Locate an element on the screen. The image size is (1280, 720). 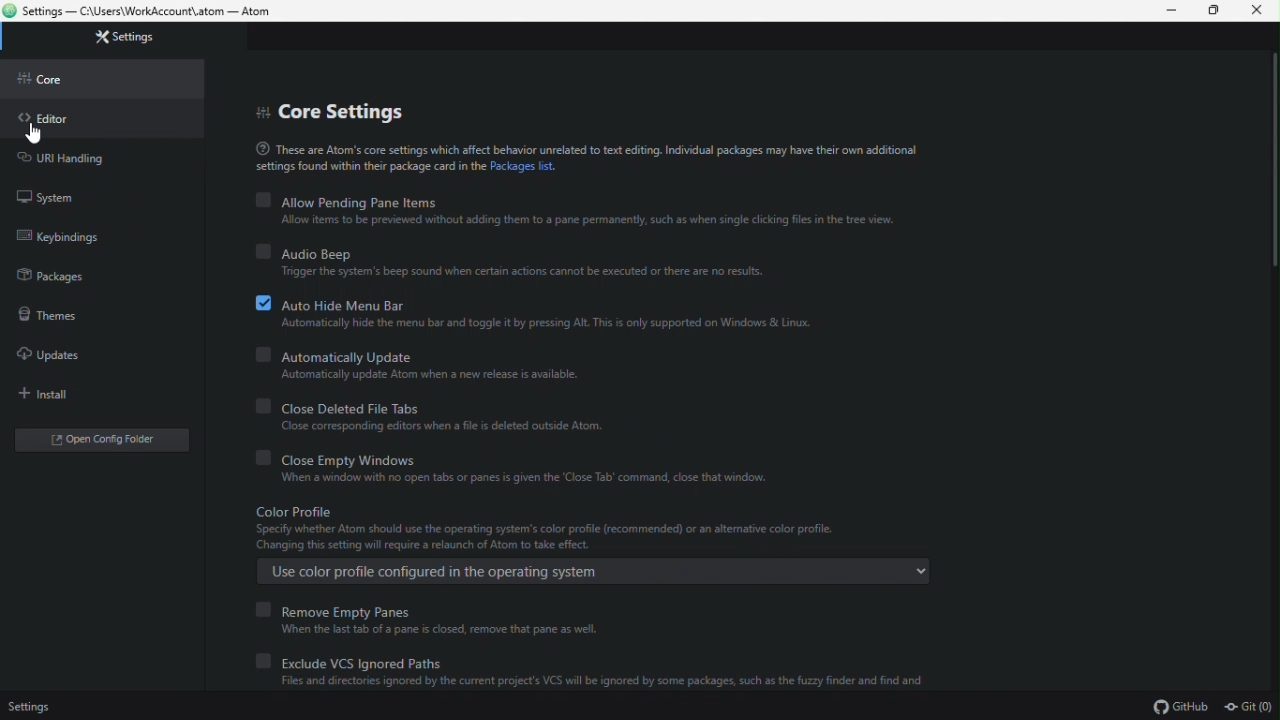
Automatically update is located at coordinates (427, 355).